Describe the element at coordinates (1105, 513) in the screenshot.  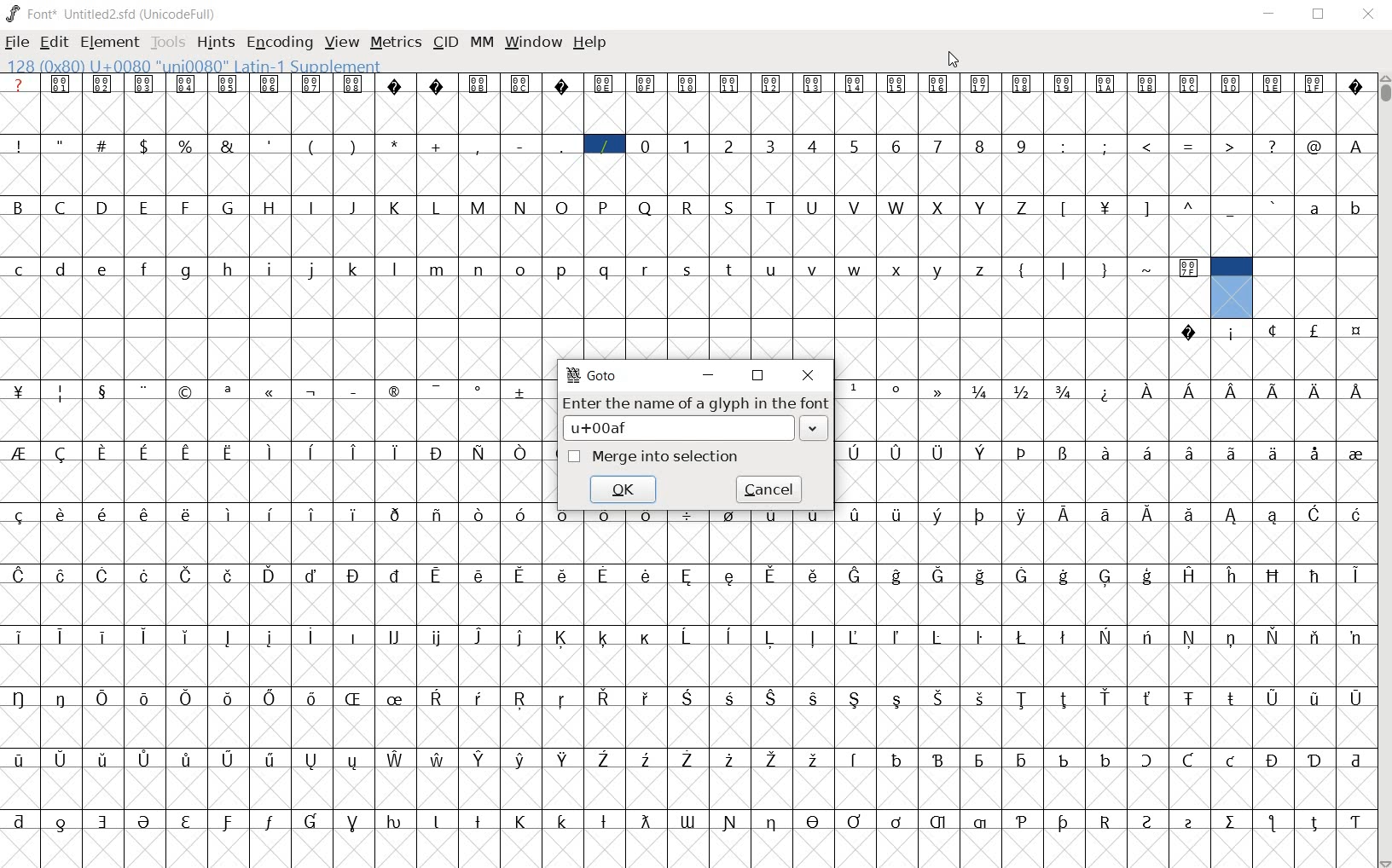
I see `Symbol` at that location.